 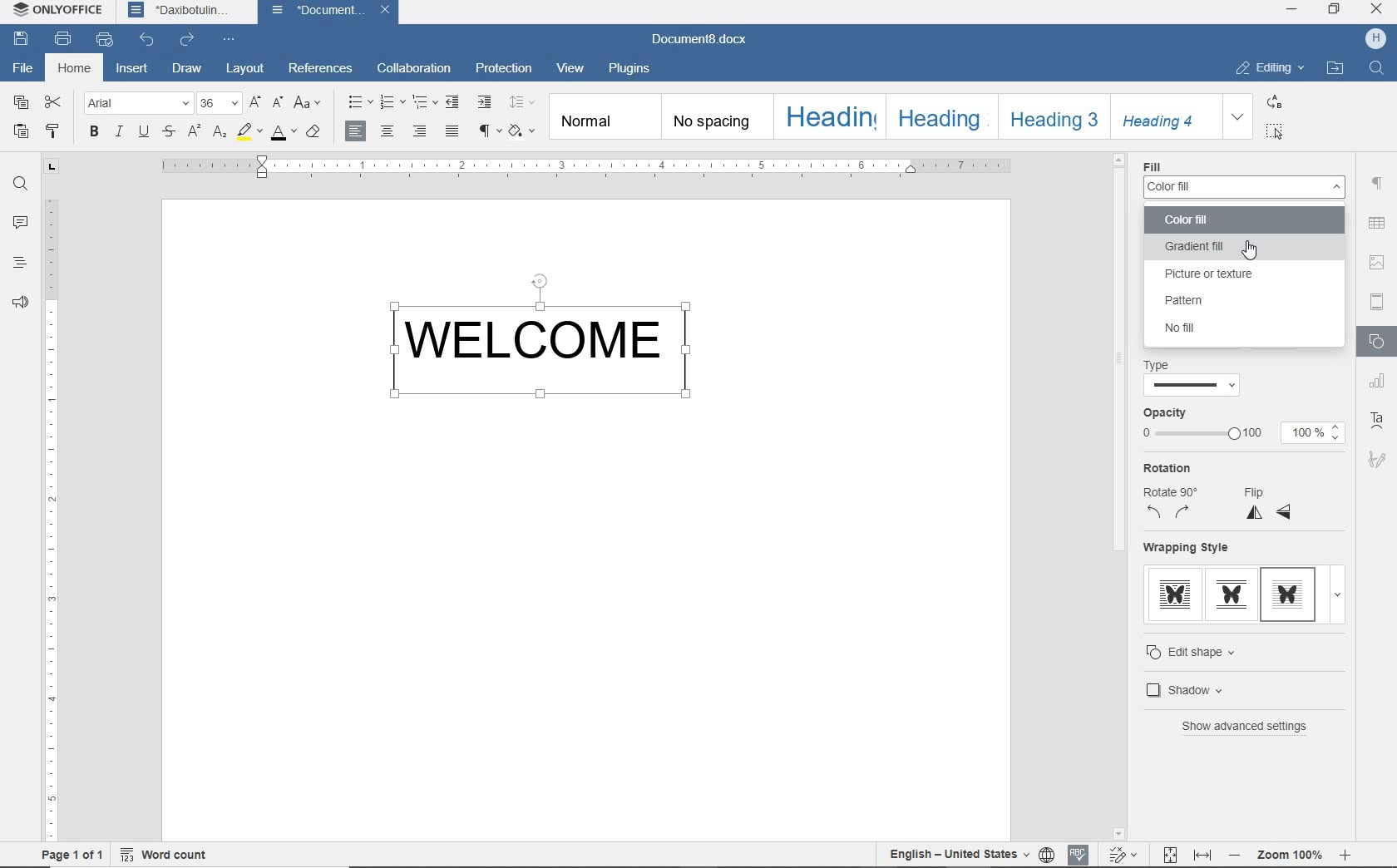 What do you see at coordinates (188, 39) in the screenshot?
I see `REDO` at bounding box center [188, 39].